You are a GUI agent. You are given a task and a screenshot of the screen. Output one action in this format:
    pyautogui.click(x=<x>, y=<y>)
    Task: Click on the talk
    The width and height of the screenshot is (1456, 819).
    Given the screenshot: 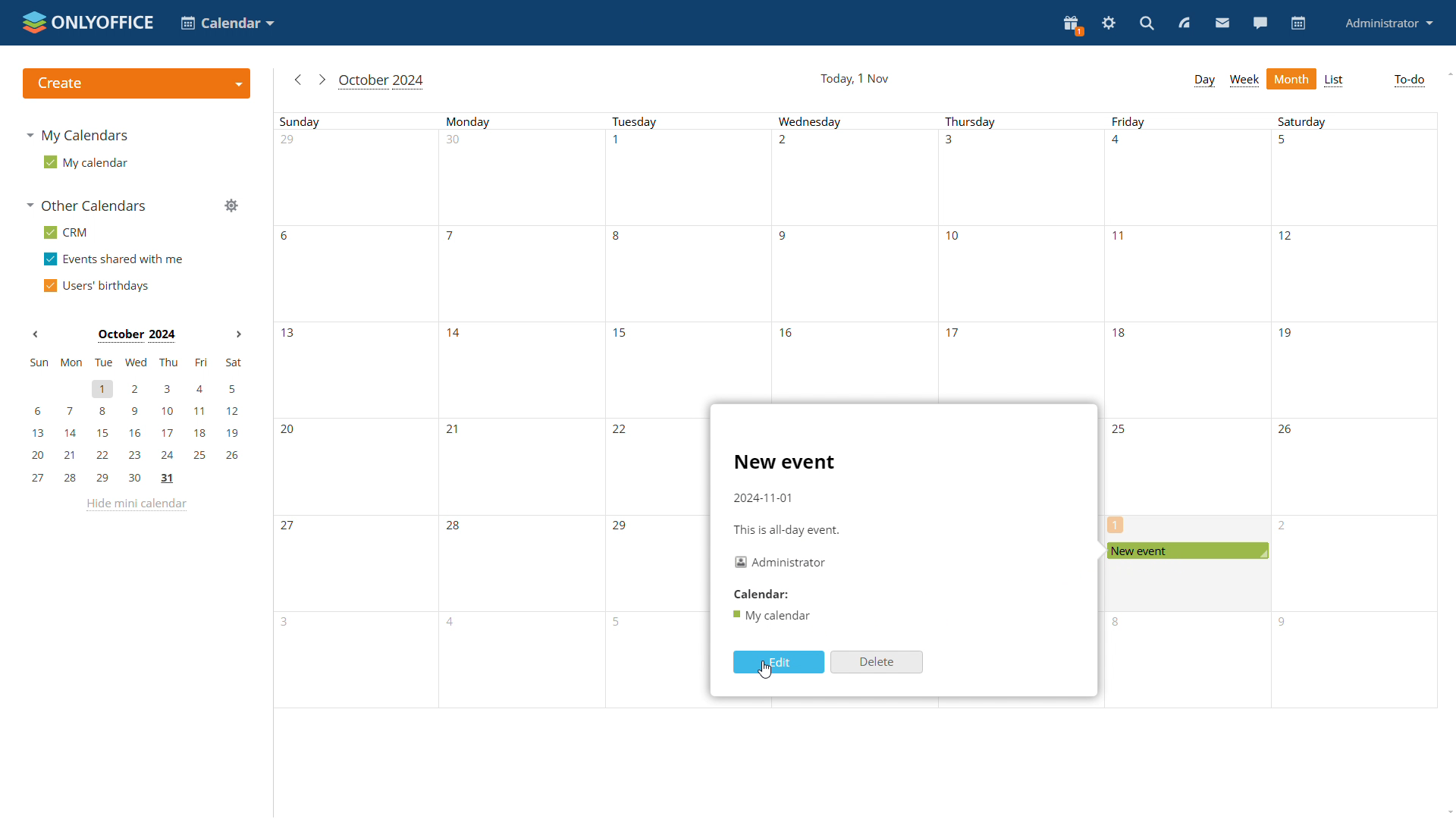 What is the action you would take?
    pyautogui.click(x=1262, y=24)
    